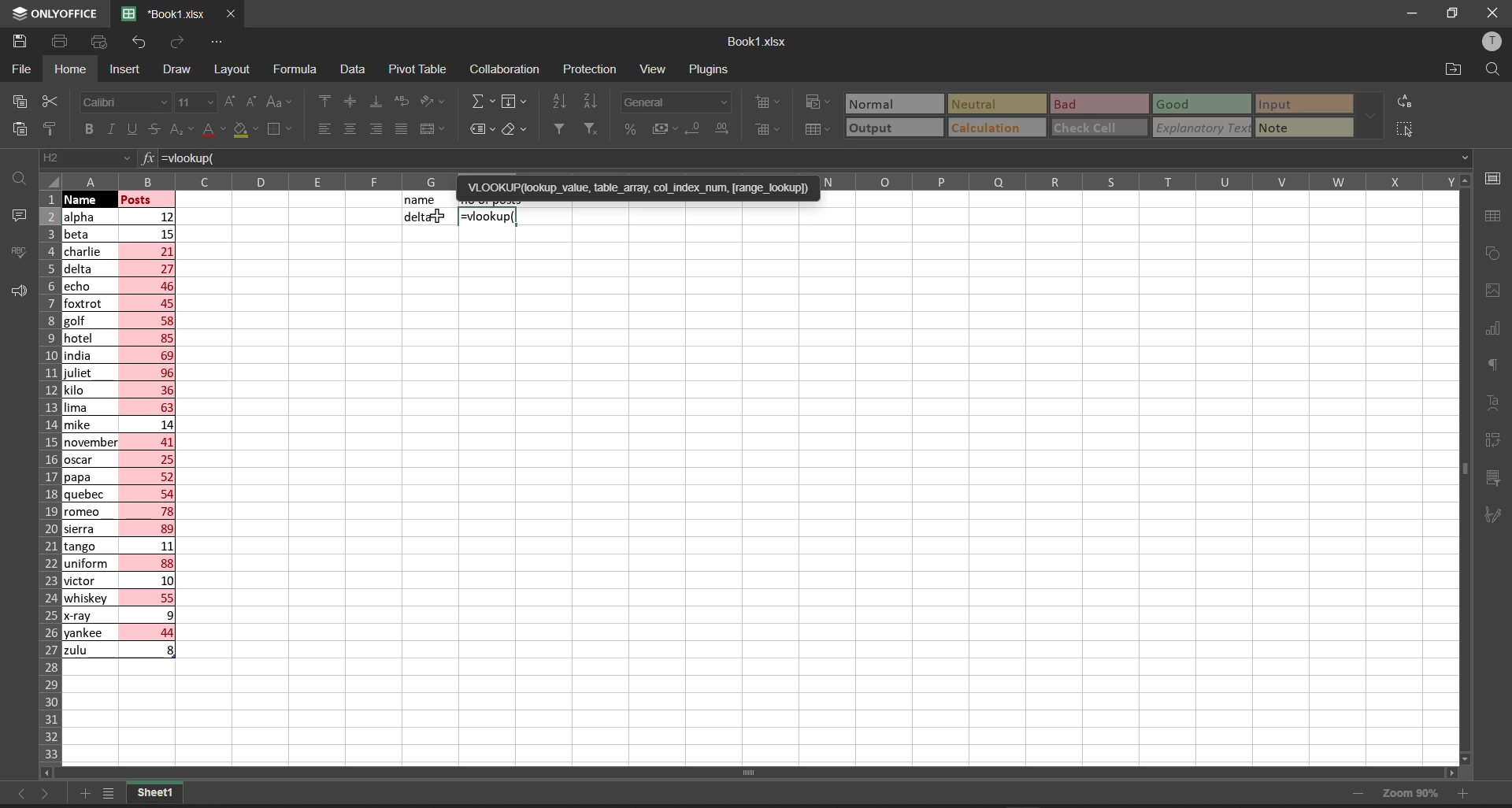 The image size is (1512, 808). Describe the element at coordinates (155, 794) in the screenshot. I see `sheet1` at that location.